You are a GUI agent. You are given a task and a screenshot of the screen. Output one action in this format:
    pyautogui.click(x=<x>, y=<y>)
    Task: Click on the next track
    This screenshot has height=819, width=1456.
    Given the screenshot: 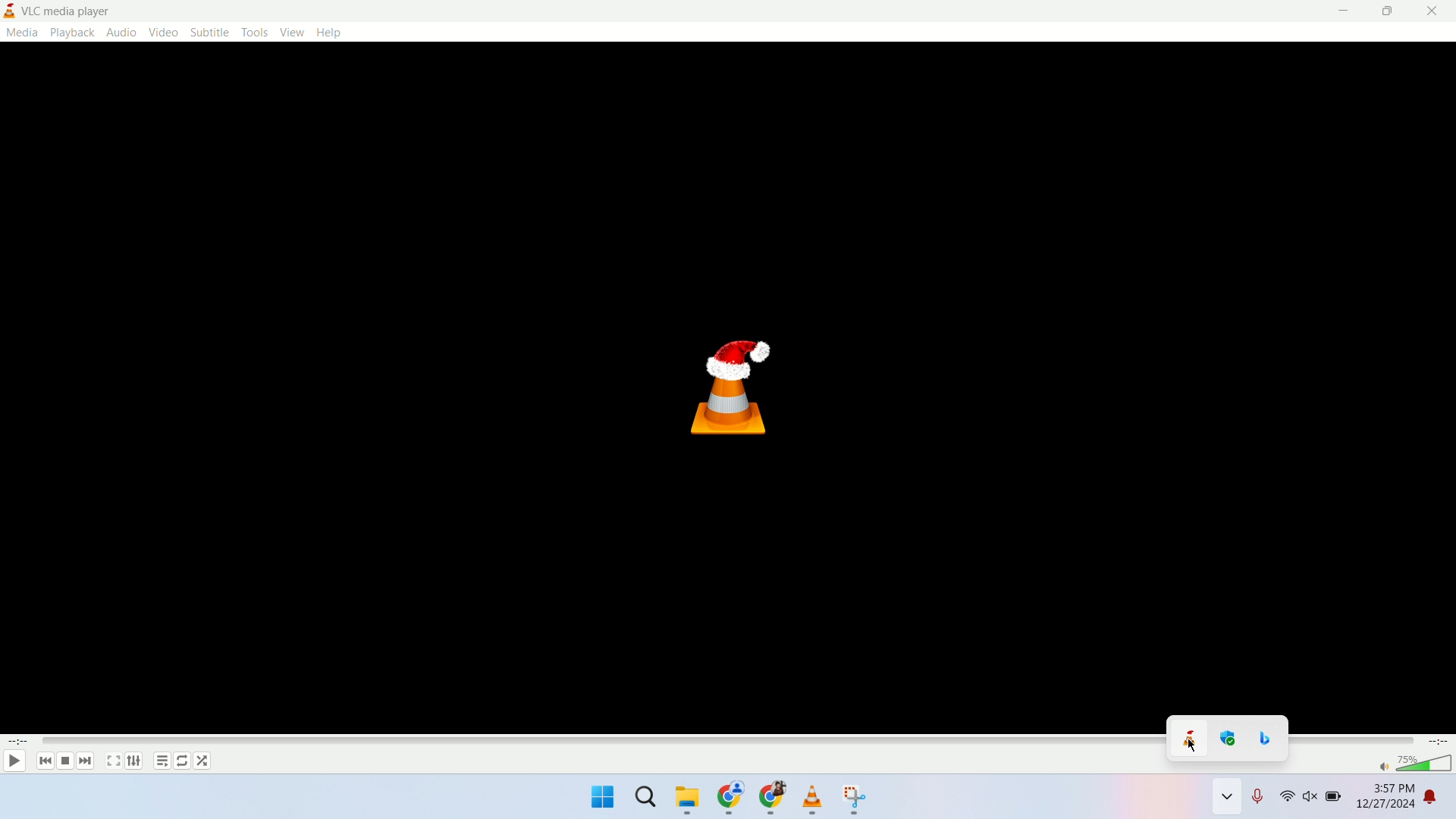 What is the action you would take?
    pyautogui.click(x=86, y=761)
    